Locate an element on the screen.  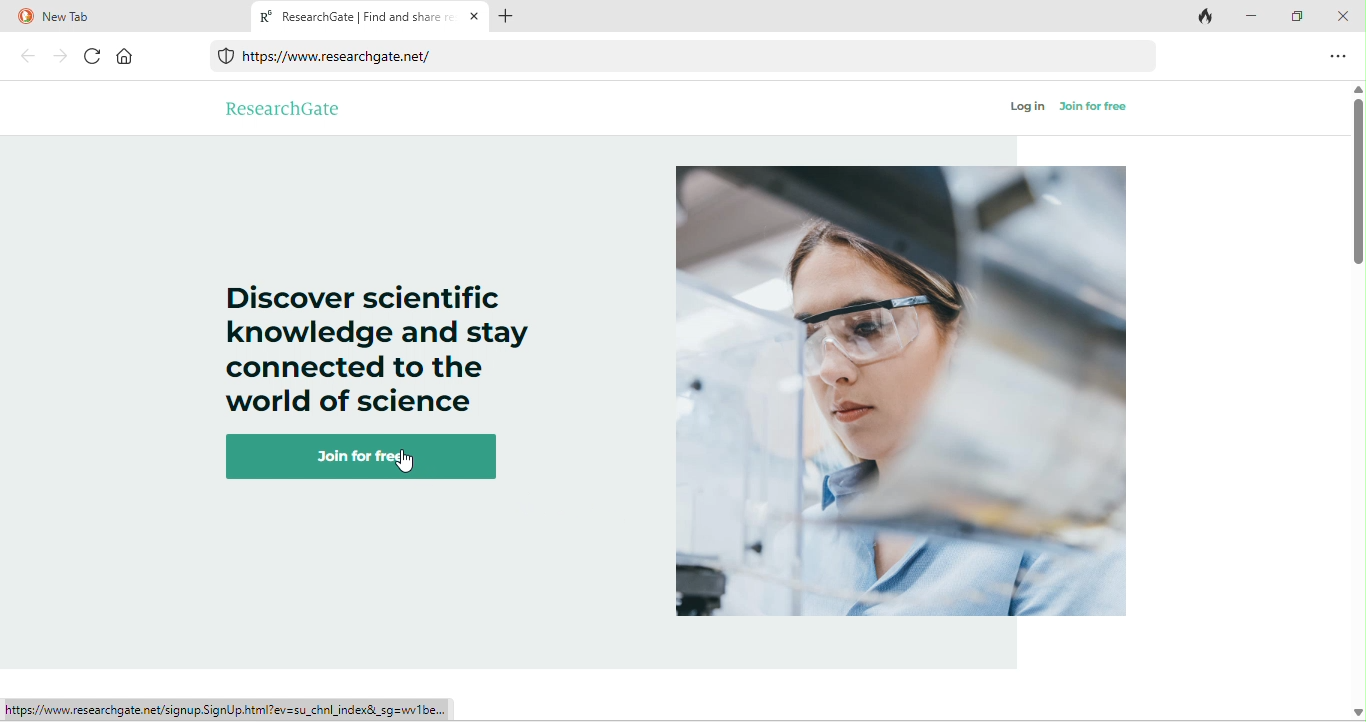
Discover scientific knowledge and stay connected to the world of science is located at coordinates (377, 337).